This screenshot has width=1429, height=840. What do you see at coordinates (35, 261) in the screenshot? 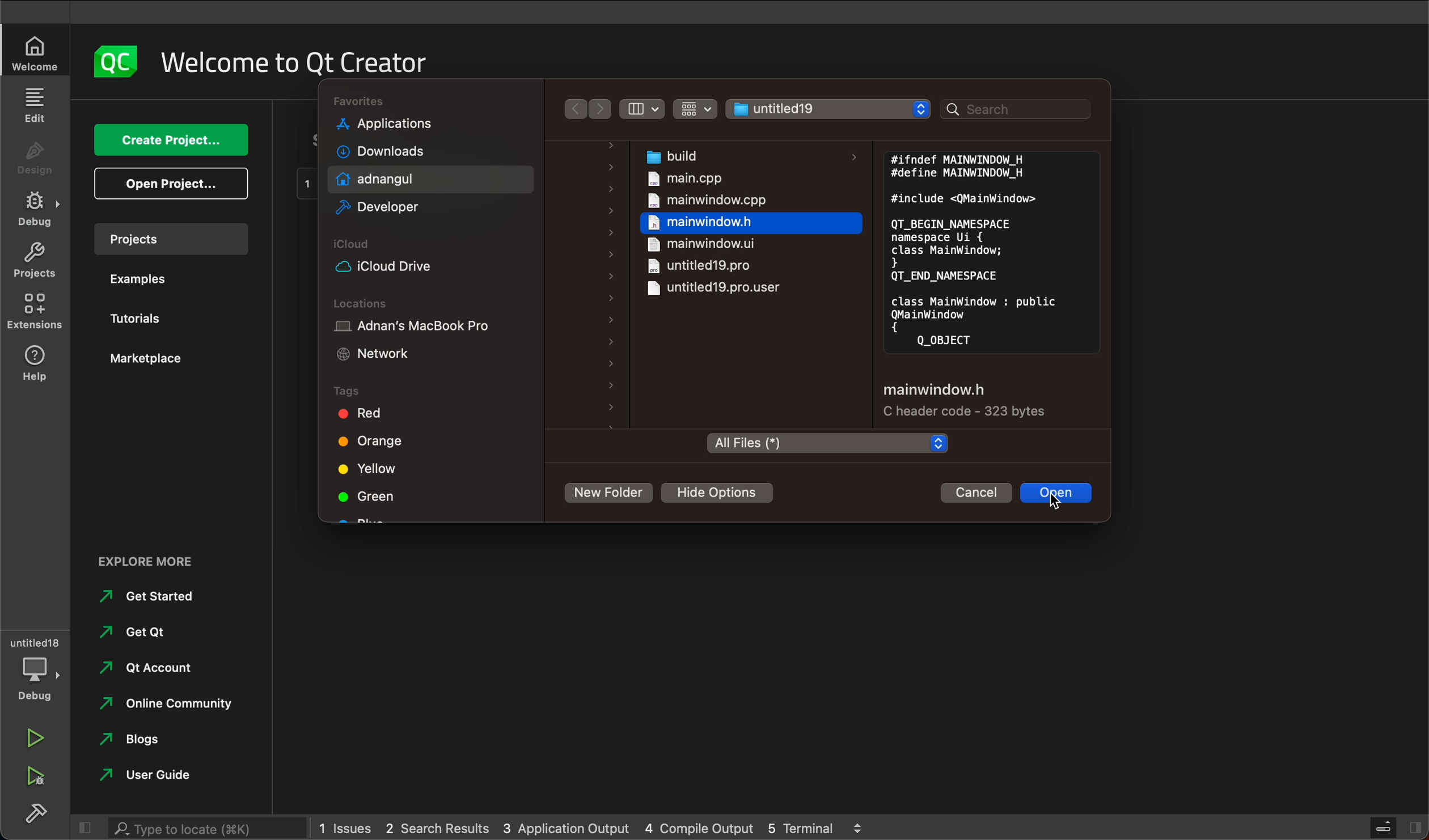
I see `projects` at bounding box center [35, 261].